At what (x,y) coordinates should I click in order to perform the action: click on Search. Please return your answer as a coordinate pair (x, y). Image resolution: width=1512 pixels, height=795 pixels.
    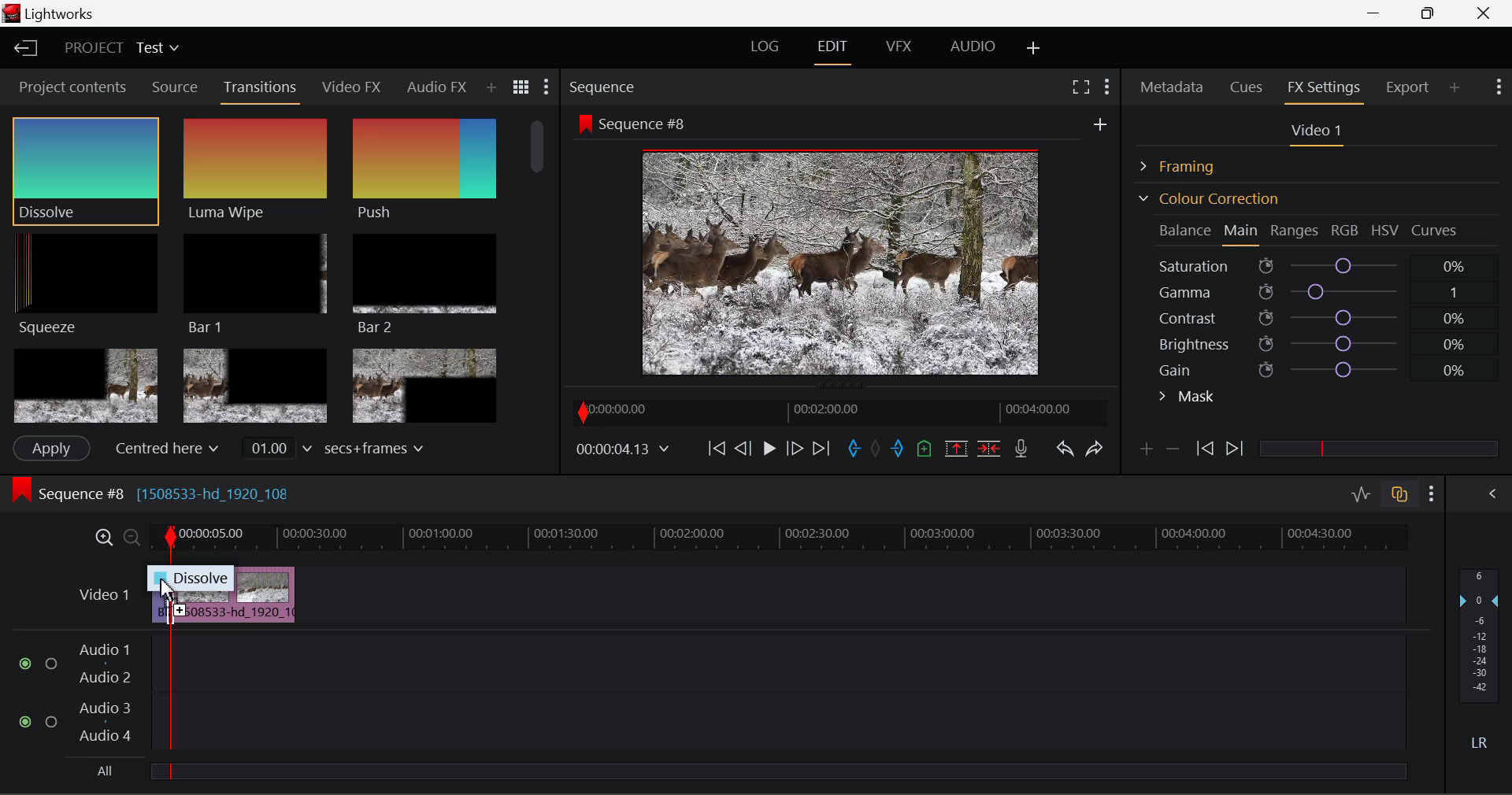
    Looking at the image, I should click on (496, 87).